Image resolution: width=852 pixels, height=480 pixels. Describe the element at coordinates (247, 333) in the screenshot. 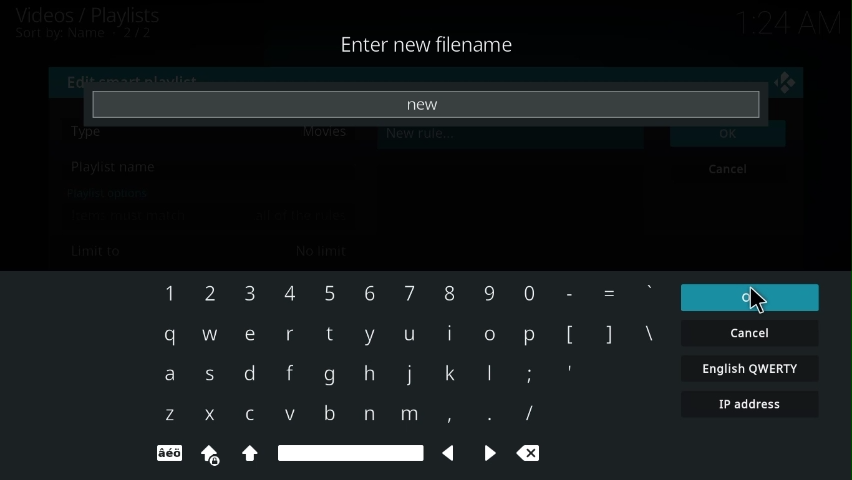

I see `e` at that location.